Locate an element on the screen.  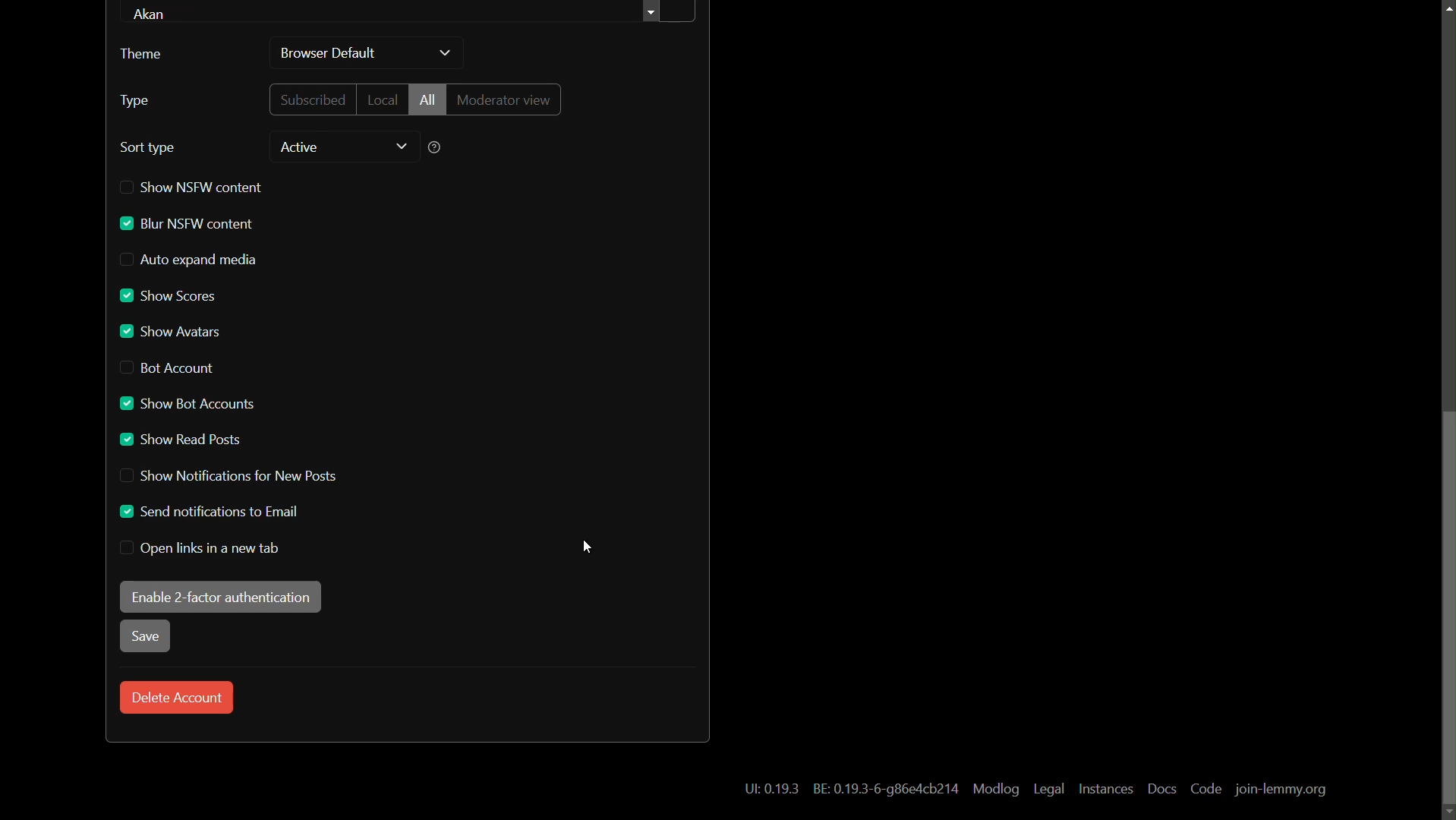
enable 2 factor authentication is located at coordinates (220, 598).